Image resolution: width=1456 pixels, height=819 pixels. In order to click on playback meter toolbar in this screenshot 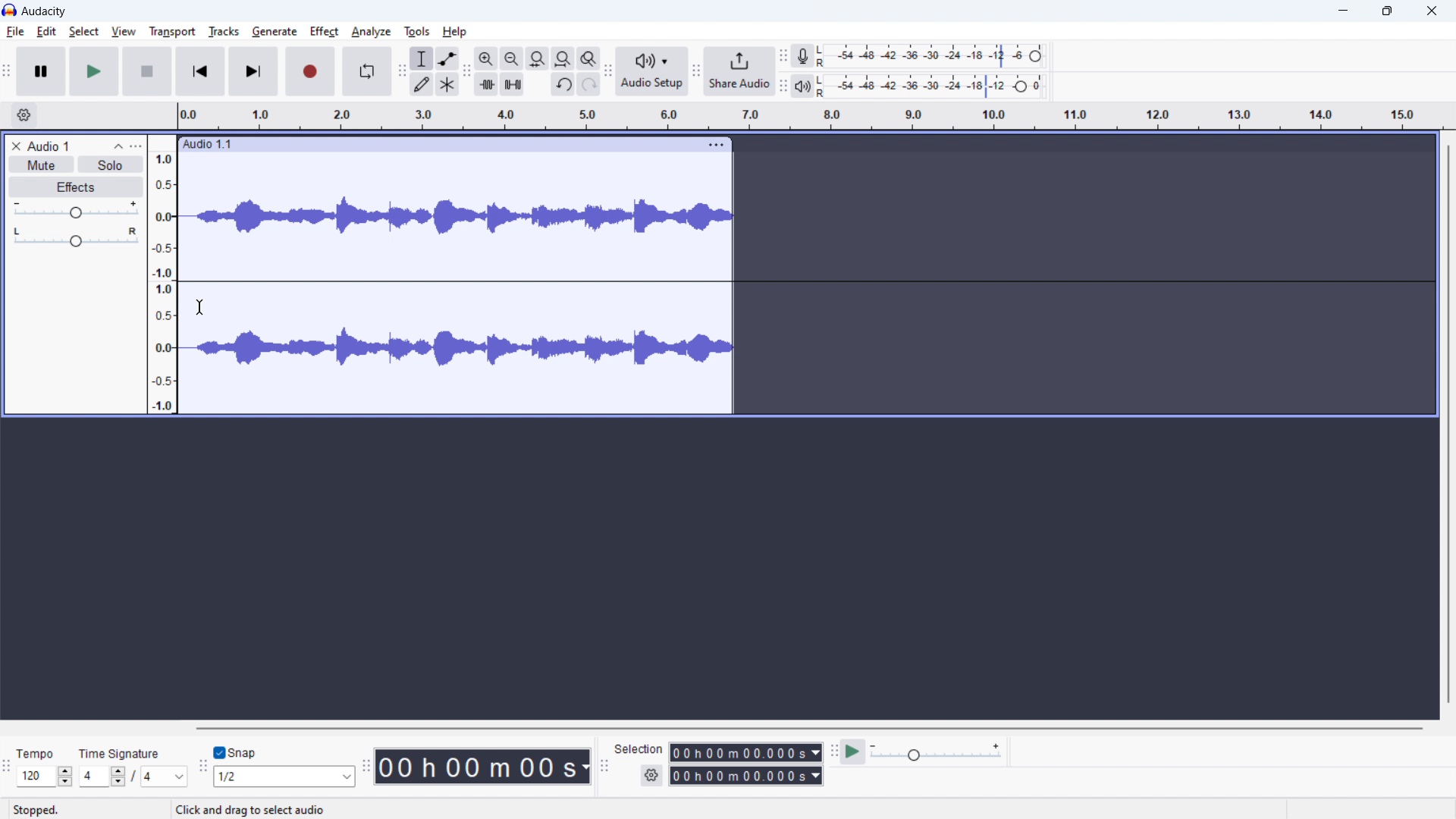, I will do `click(783, 86)`.